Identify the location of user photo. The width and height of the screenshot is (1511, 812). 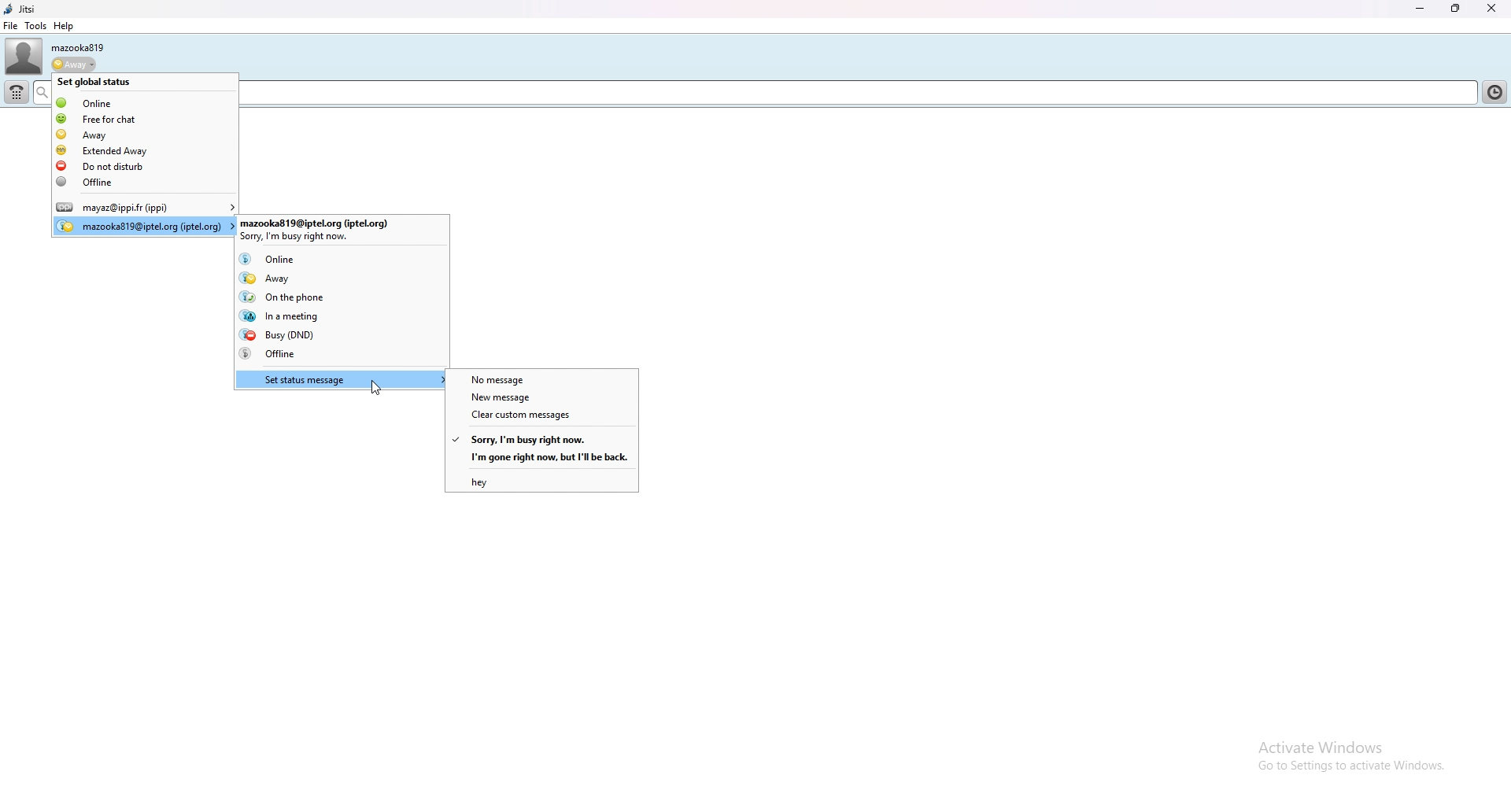
(24, 57).